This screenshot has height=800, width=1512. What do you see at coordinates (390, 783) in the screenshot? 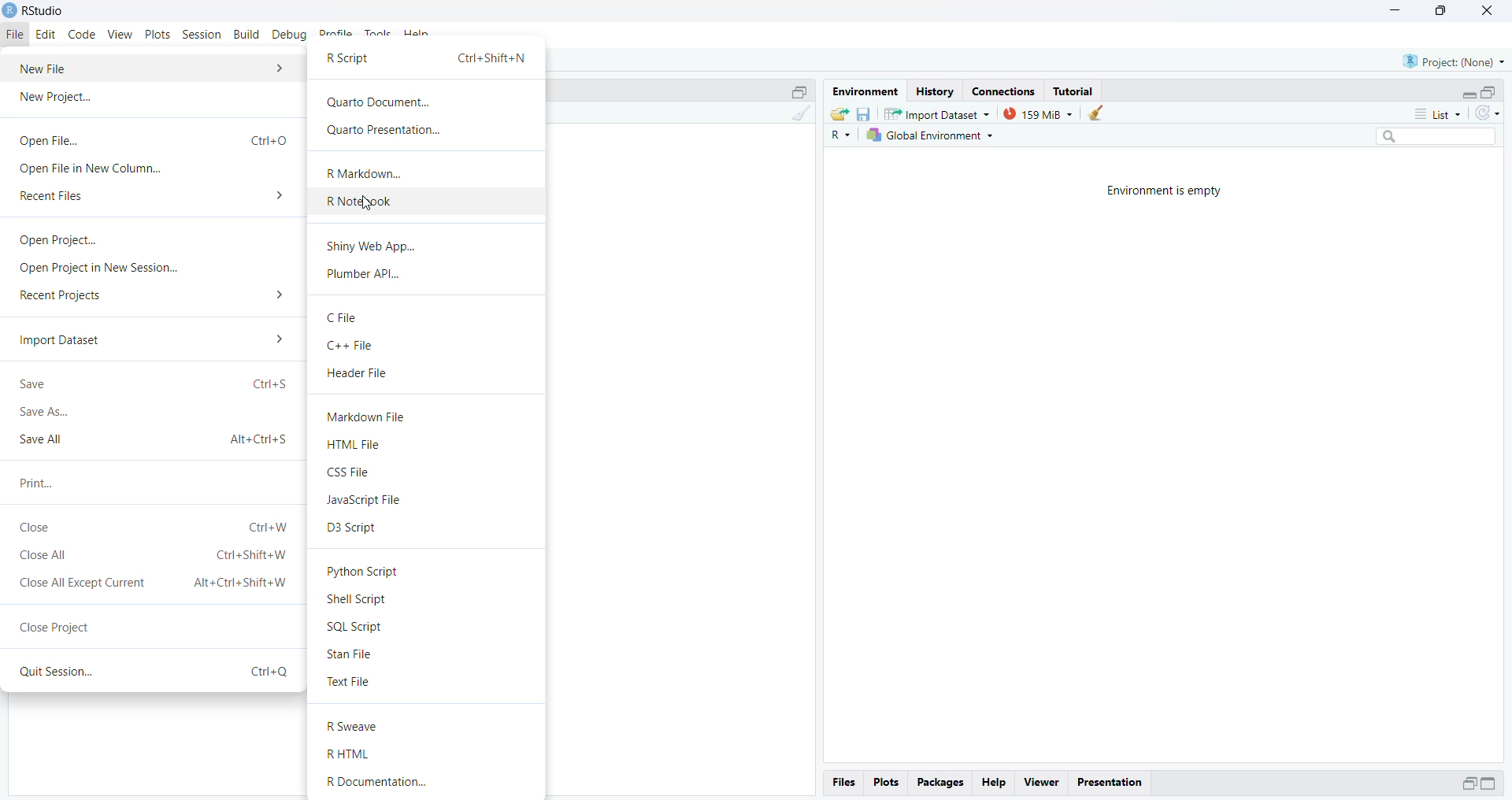
I see `R Documentation...` at bounding box center [390, 783].